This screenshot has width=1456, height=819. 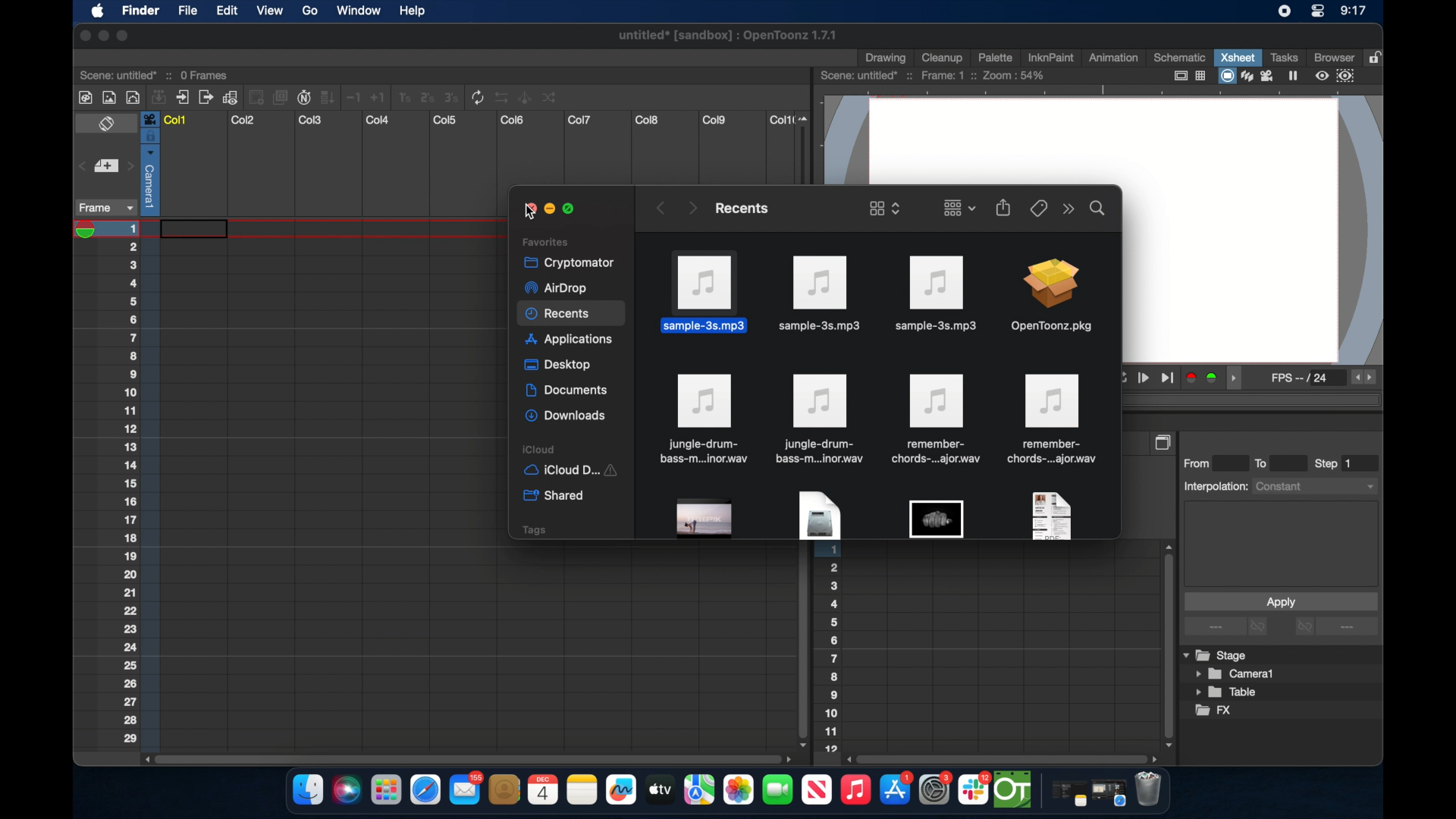 I want to click on inknpaint, so click(x=1050, y=57).